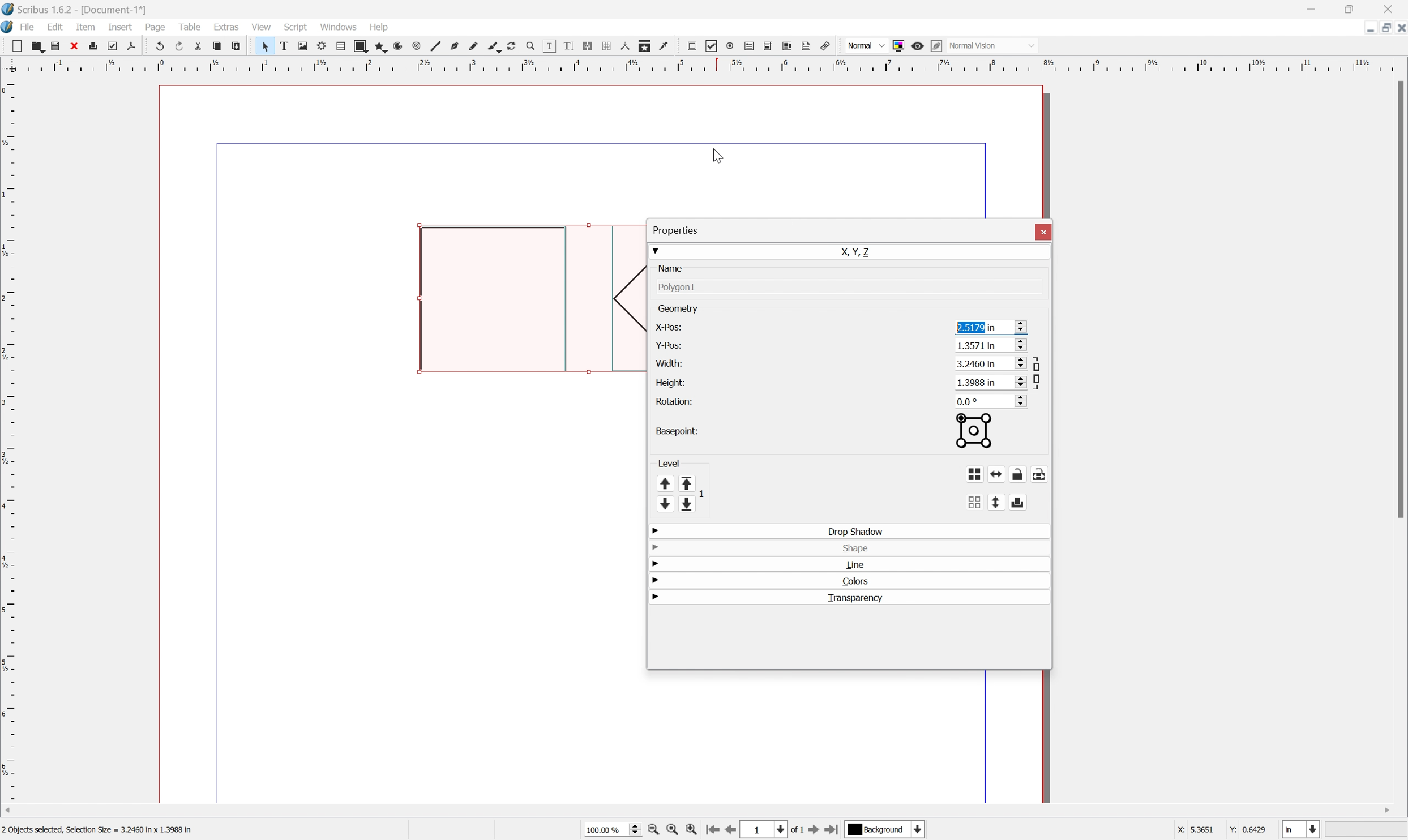 This screenshot has height=840, width=1408. I want to click on Ruler, so click(9, 437).